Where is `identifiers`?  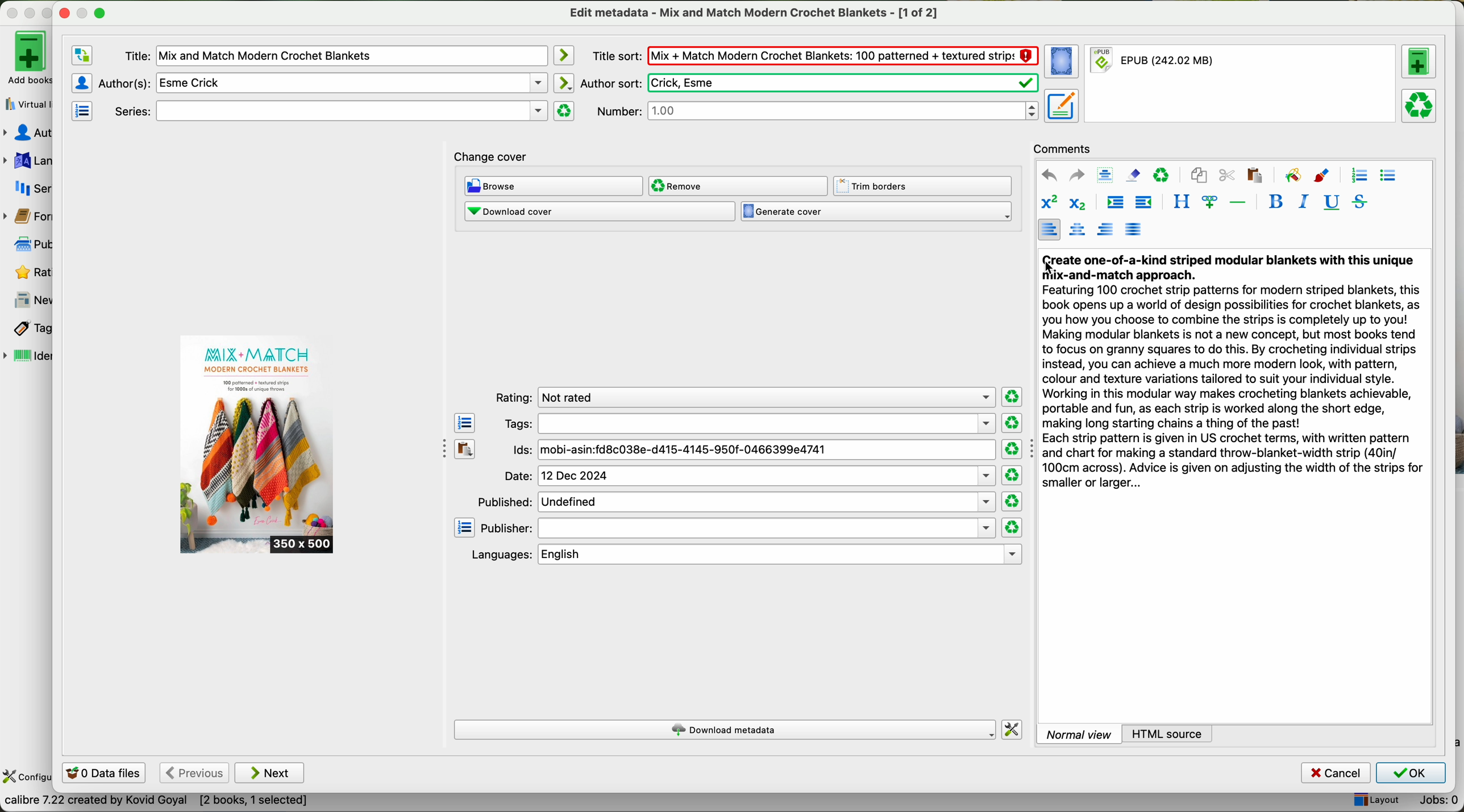 identifiers is located at coordinates (28, 357).